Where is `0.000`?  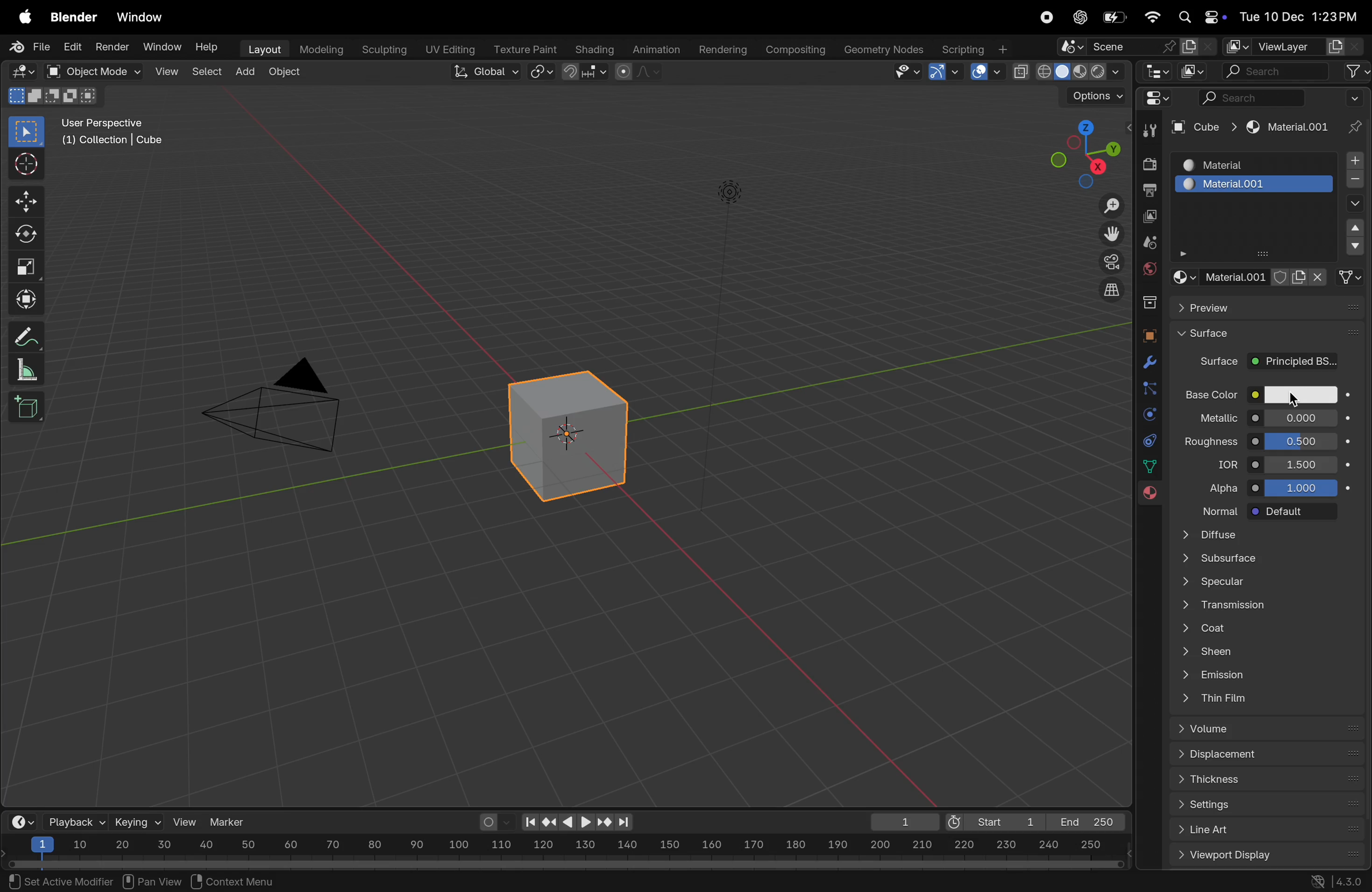 0.000 is located at coordinates (1303, 440).